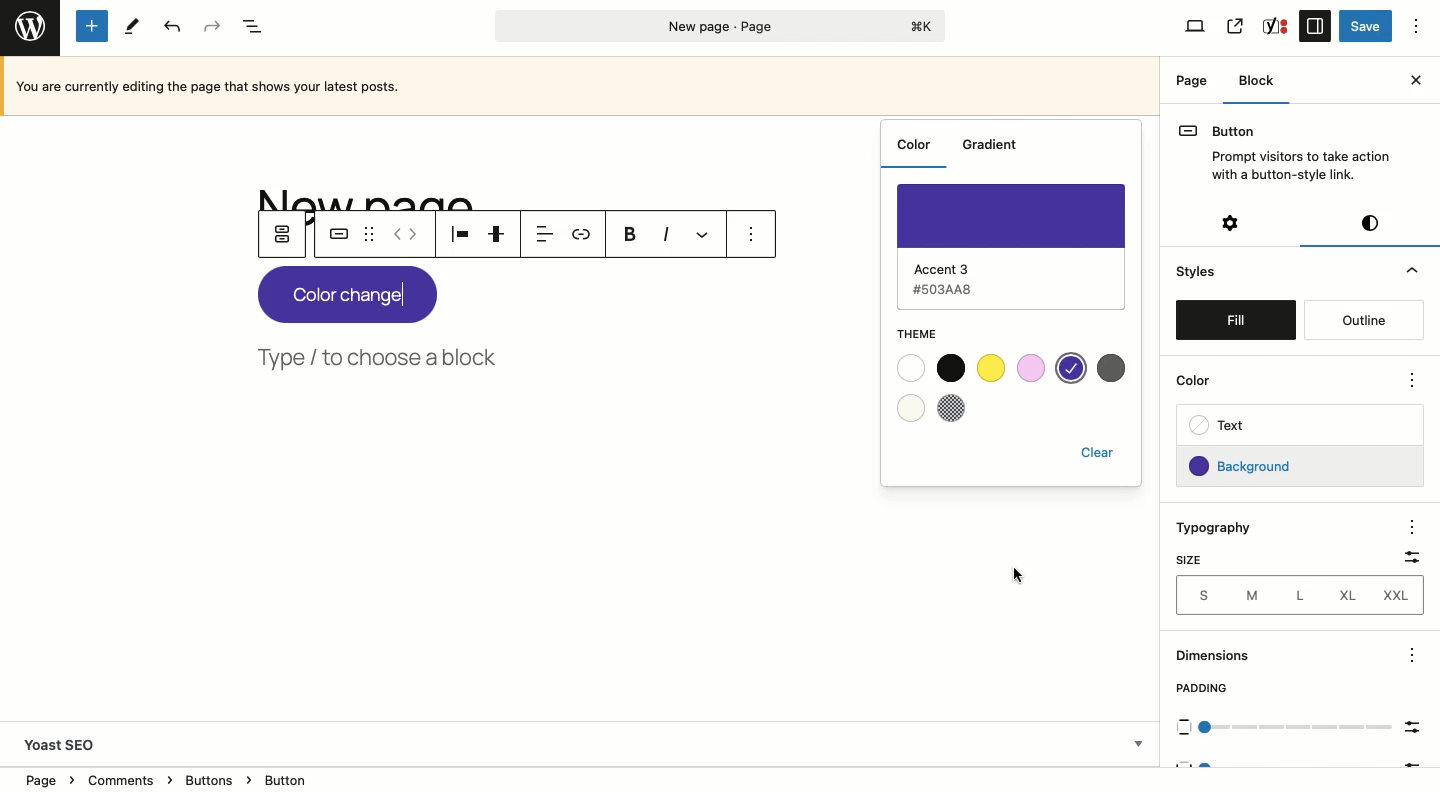 This screenshot has width=1440, height=792. I want to click on View page, so click(1235, 27).